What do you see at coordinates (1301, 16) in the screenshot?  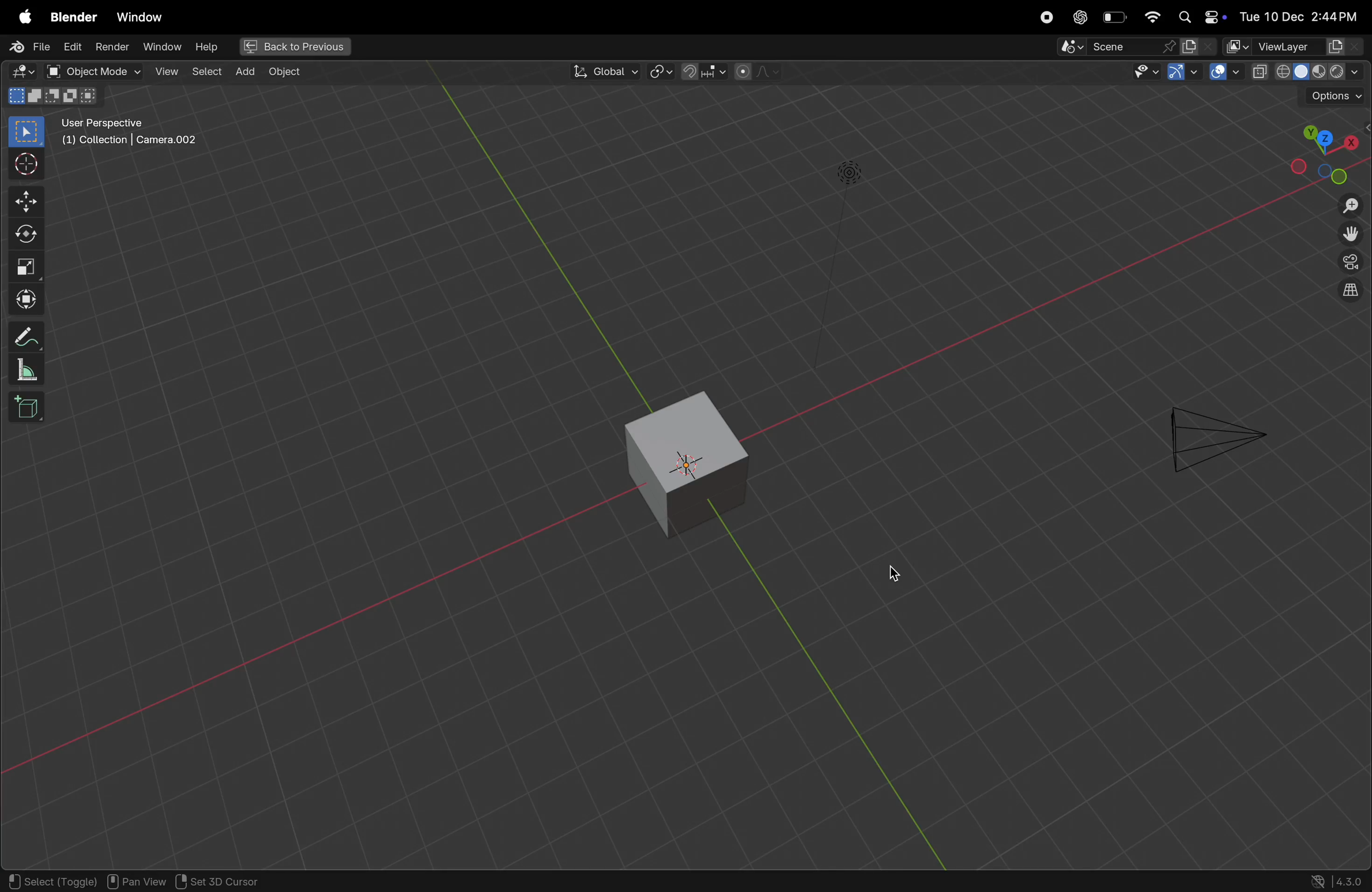 I see `dateand time` at bounding box center [1301, 16].